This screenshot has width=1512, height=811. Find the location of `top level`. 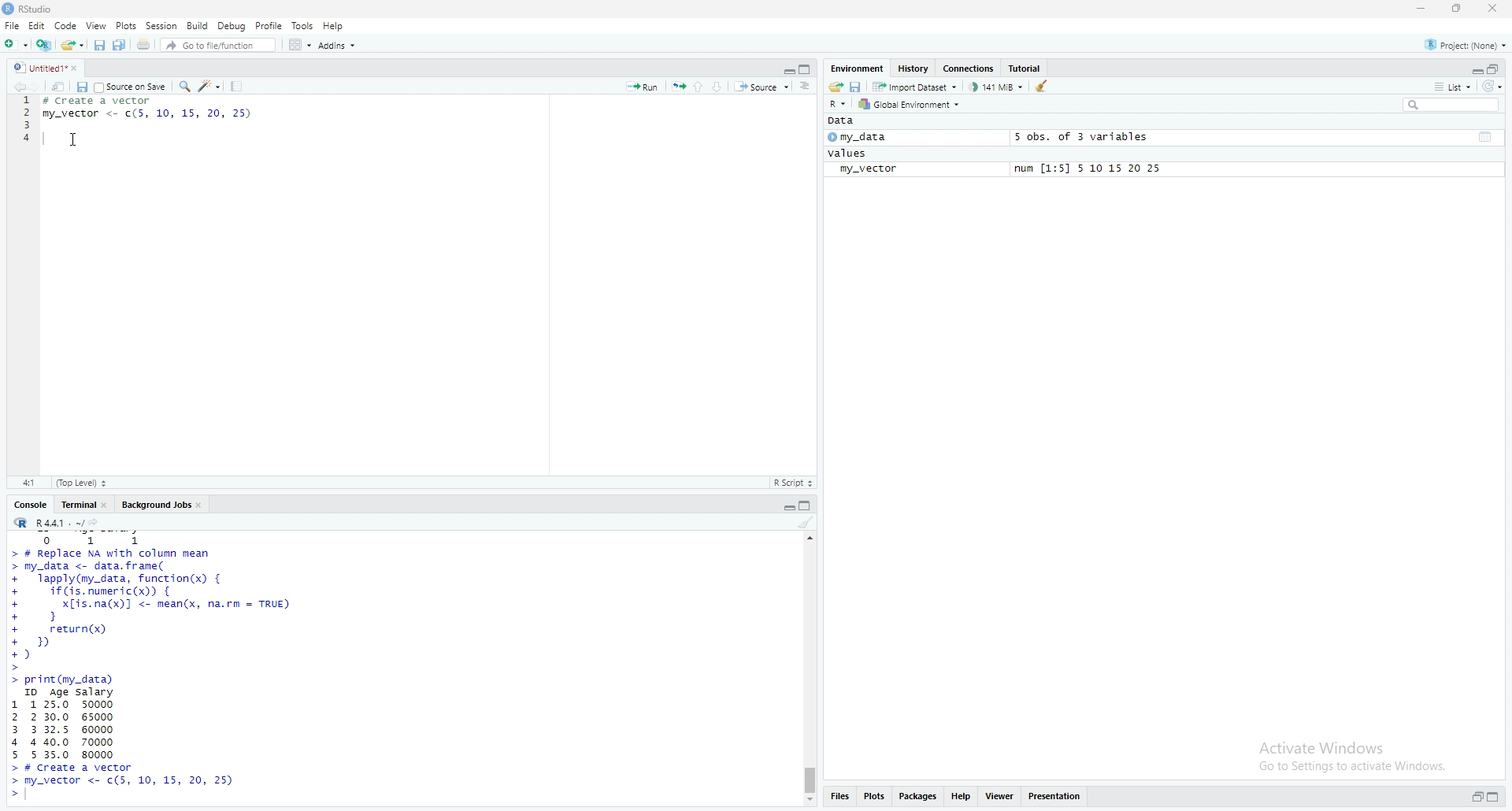

top level is located at coordinates (82, 483).